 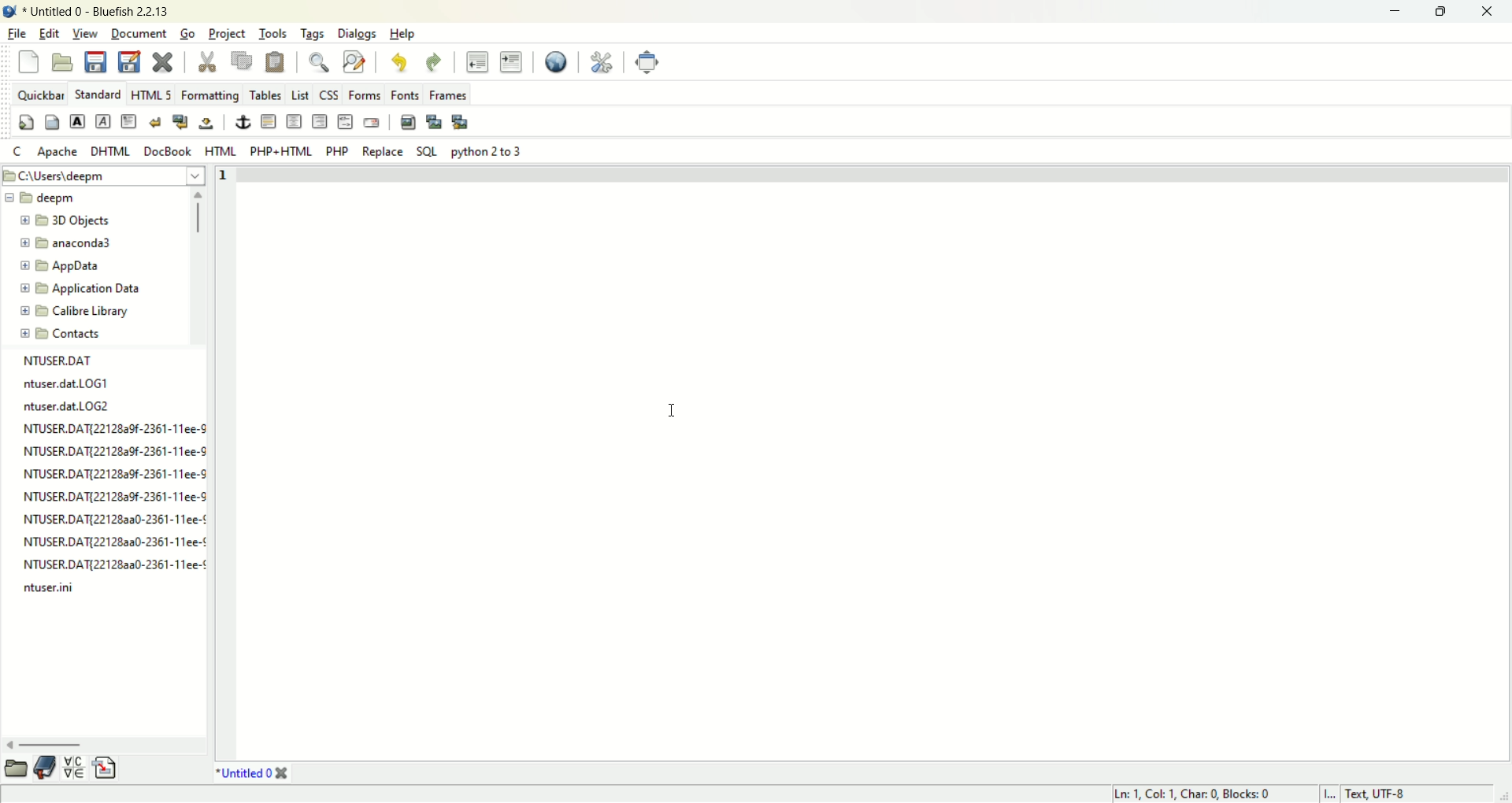 I want to click on new file, so click(x=30, y=61).